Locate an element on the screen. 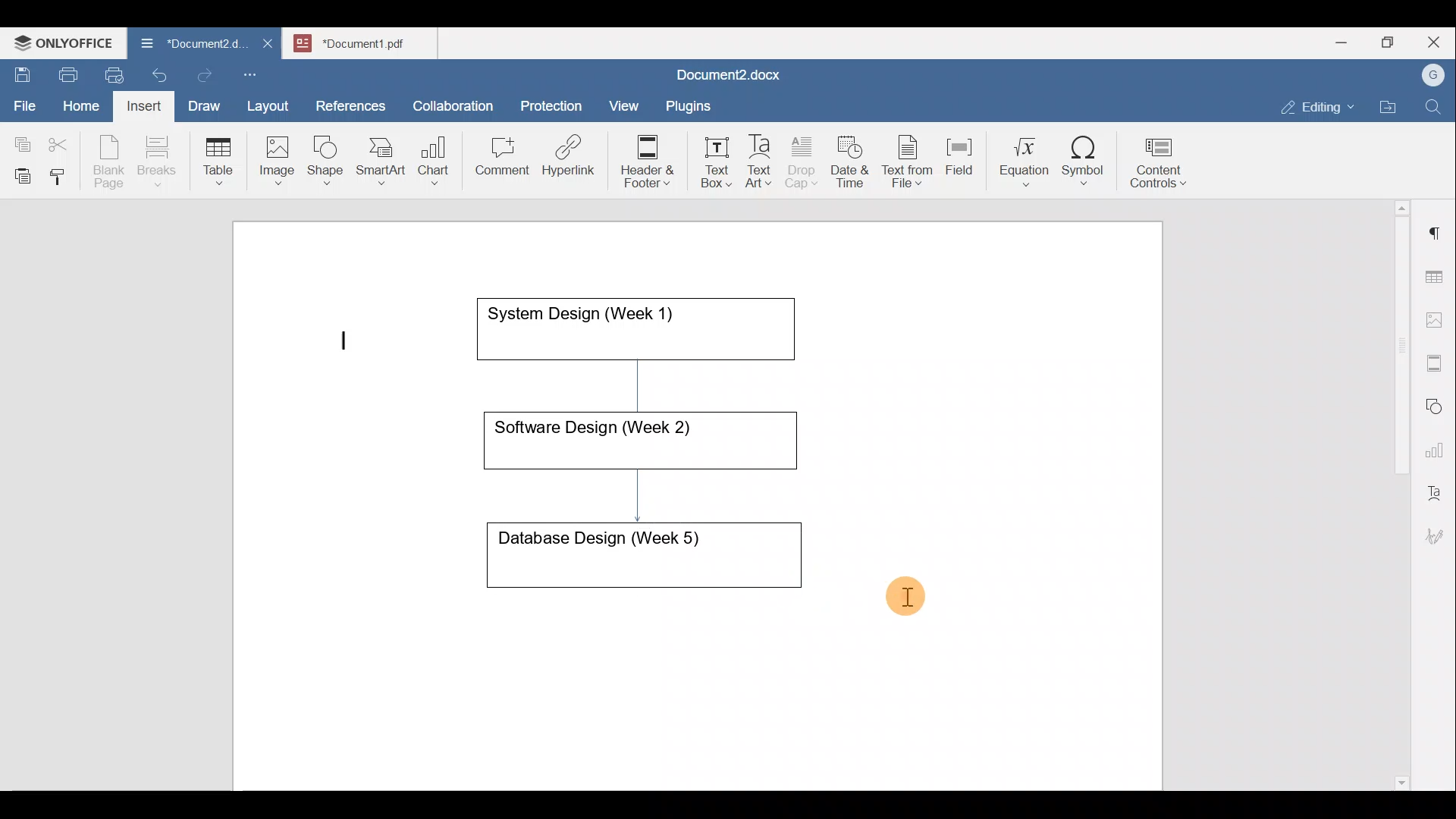 The width and height of the screenshot is (1456, 819). Open file location is located at coordinates (1392, 108).